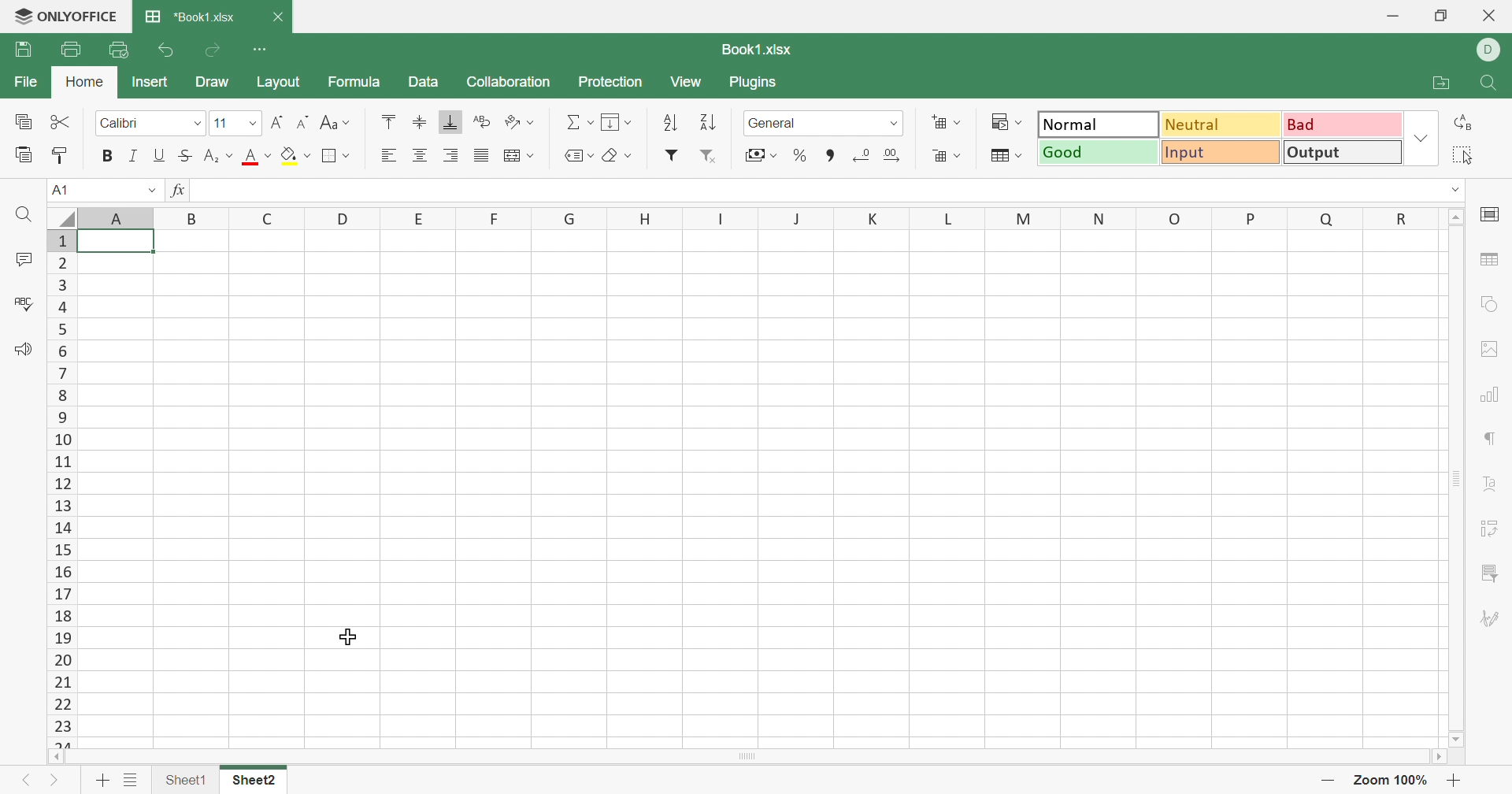  I want to click on Align Top, so click(387, 121).